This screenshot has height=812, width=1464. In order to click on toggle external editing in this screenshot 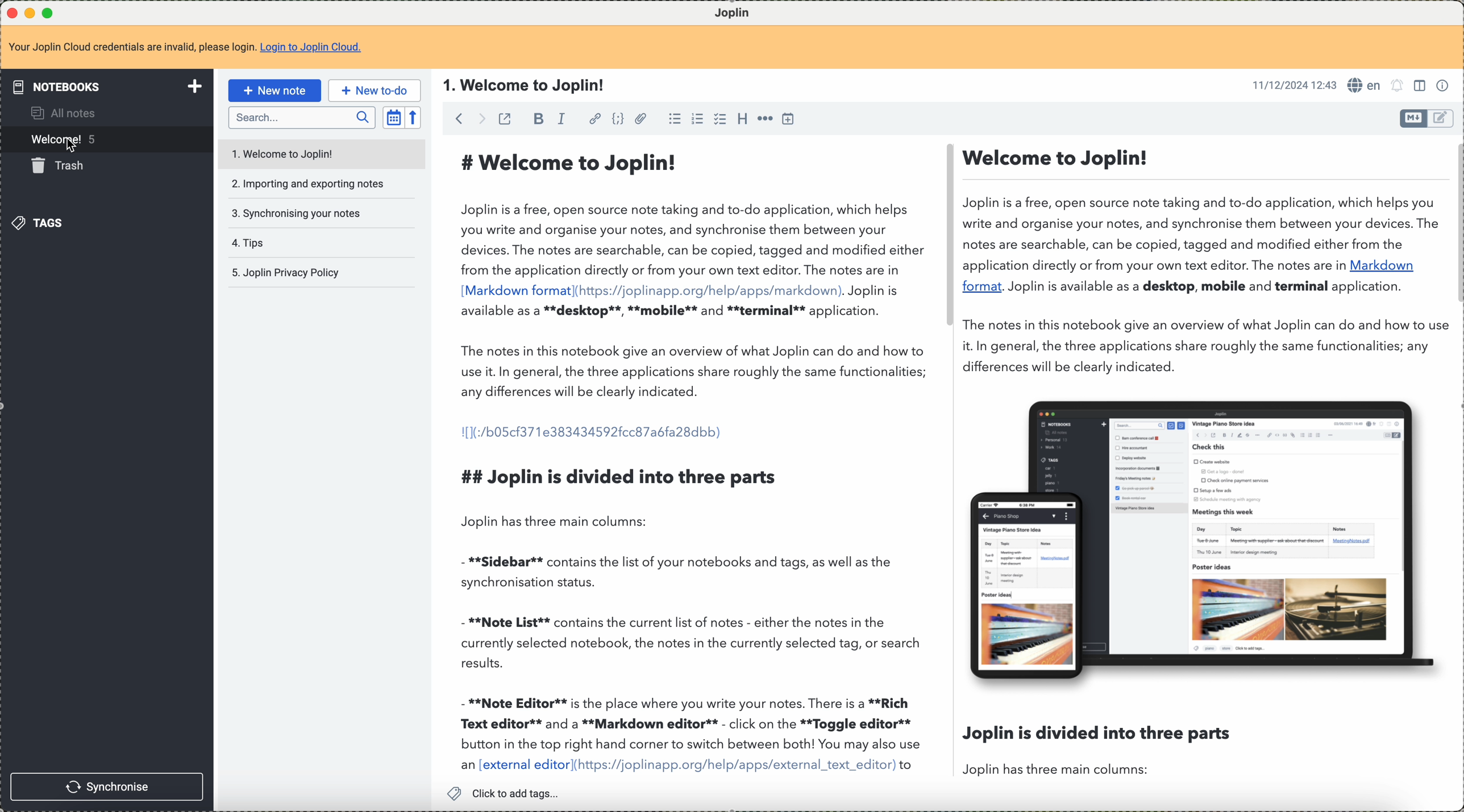, I will do `click(504, 119)`.